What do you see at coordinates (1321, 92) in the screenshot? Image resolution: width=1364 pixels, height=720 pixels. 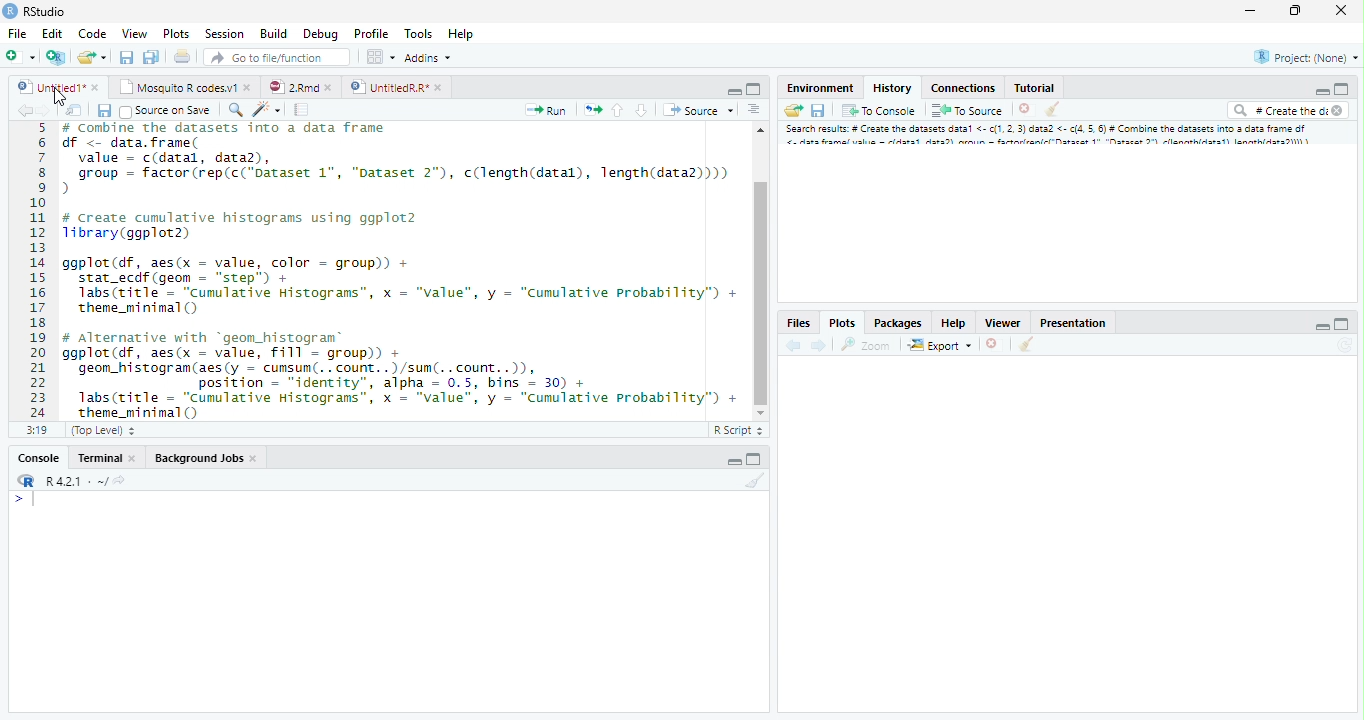 I see `Minimize` at bounding box center [1321, 92].